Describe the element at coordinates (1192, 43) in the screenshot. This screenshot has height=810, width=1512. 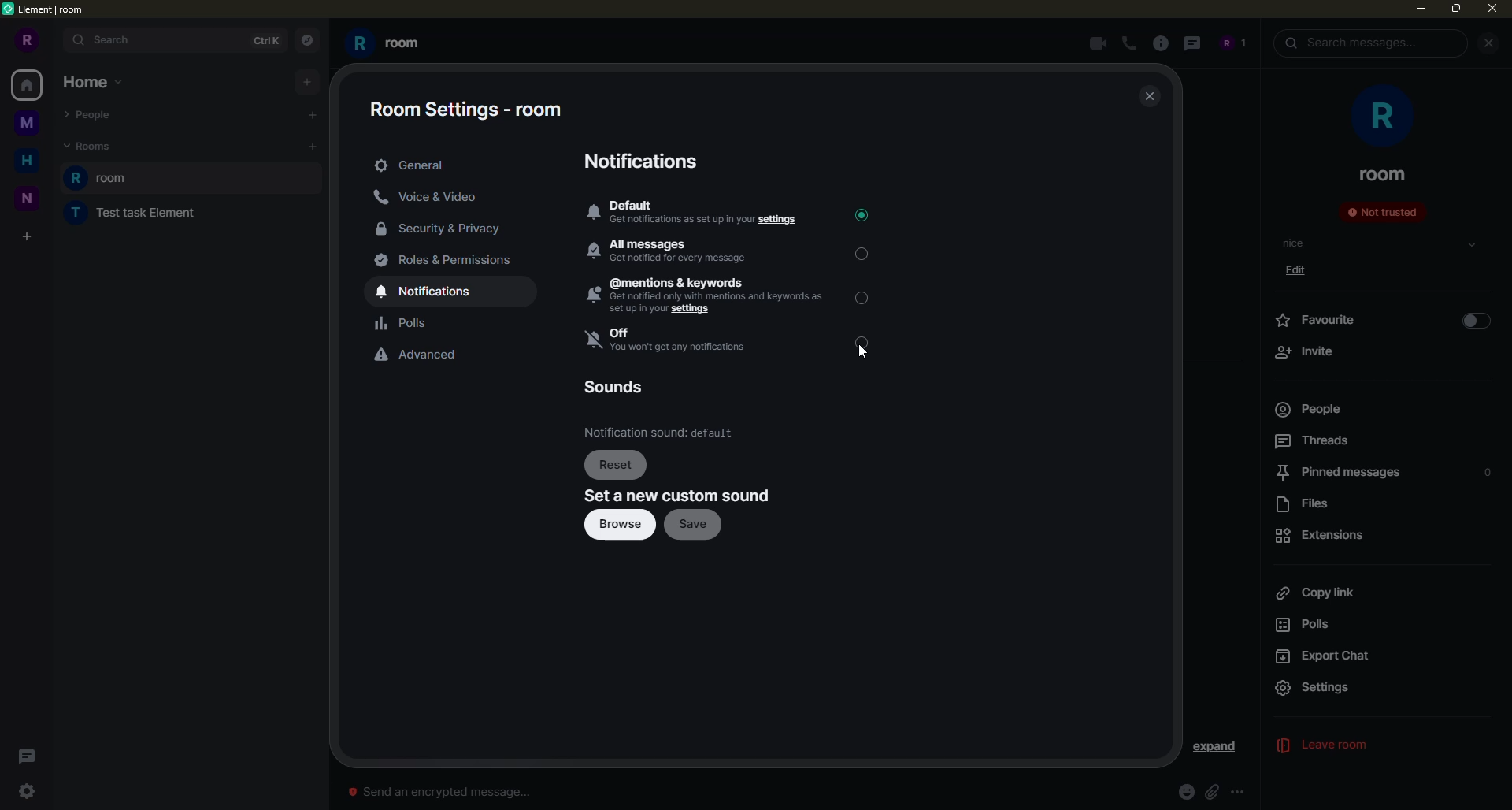
I see `thread` at that location.